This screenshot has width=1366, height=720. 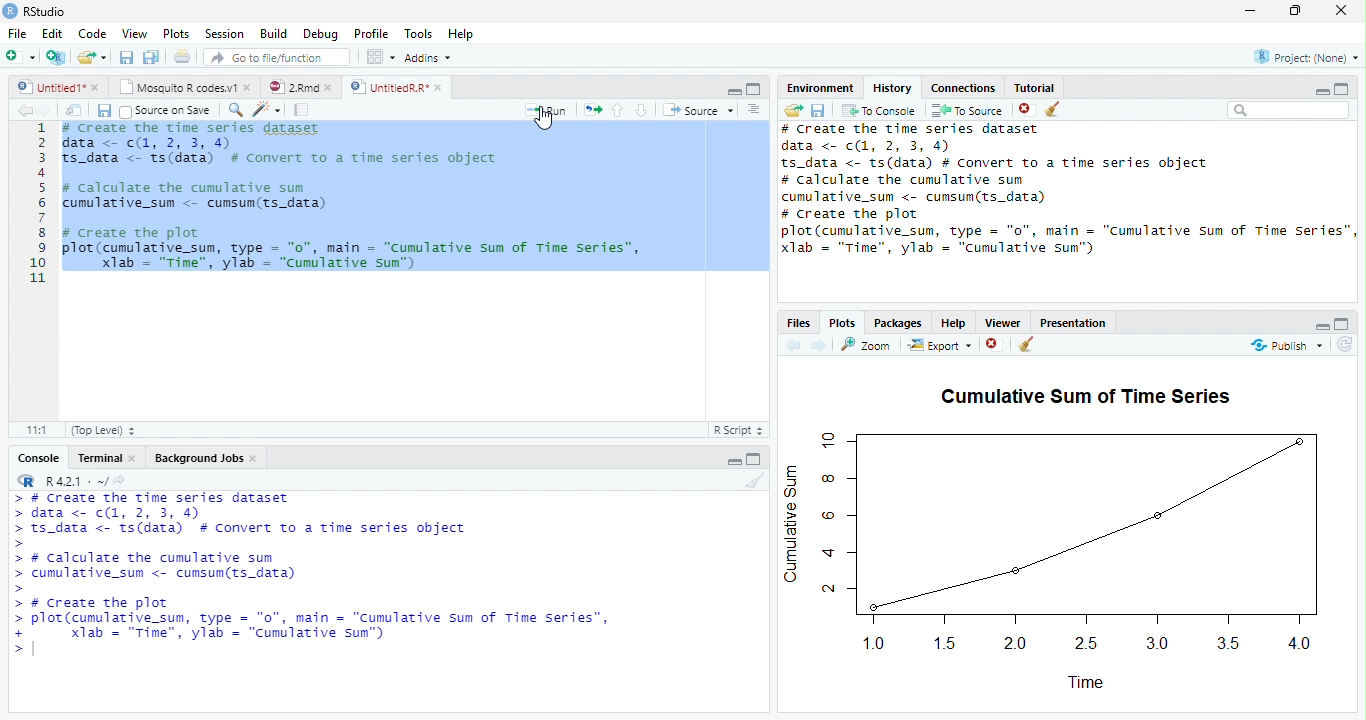 I want to click on Clear Console, so click(x=1051, y=112).